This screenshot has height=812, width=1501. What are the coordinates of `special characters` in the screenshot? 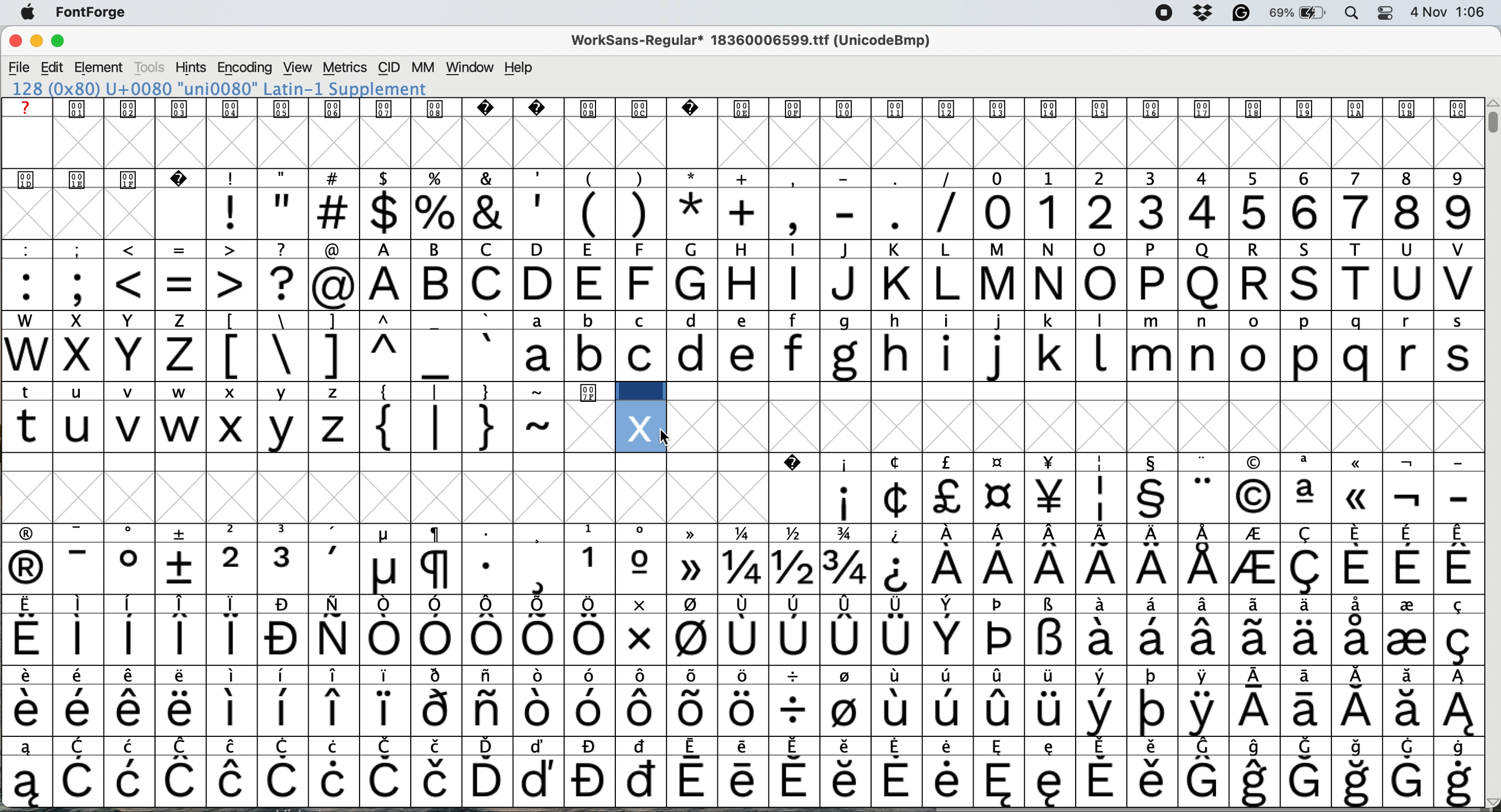 It's located at (466, 428).